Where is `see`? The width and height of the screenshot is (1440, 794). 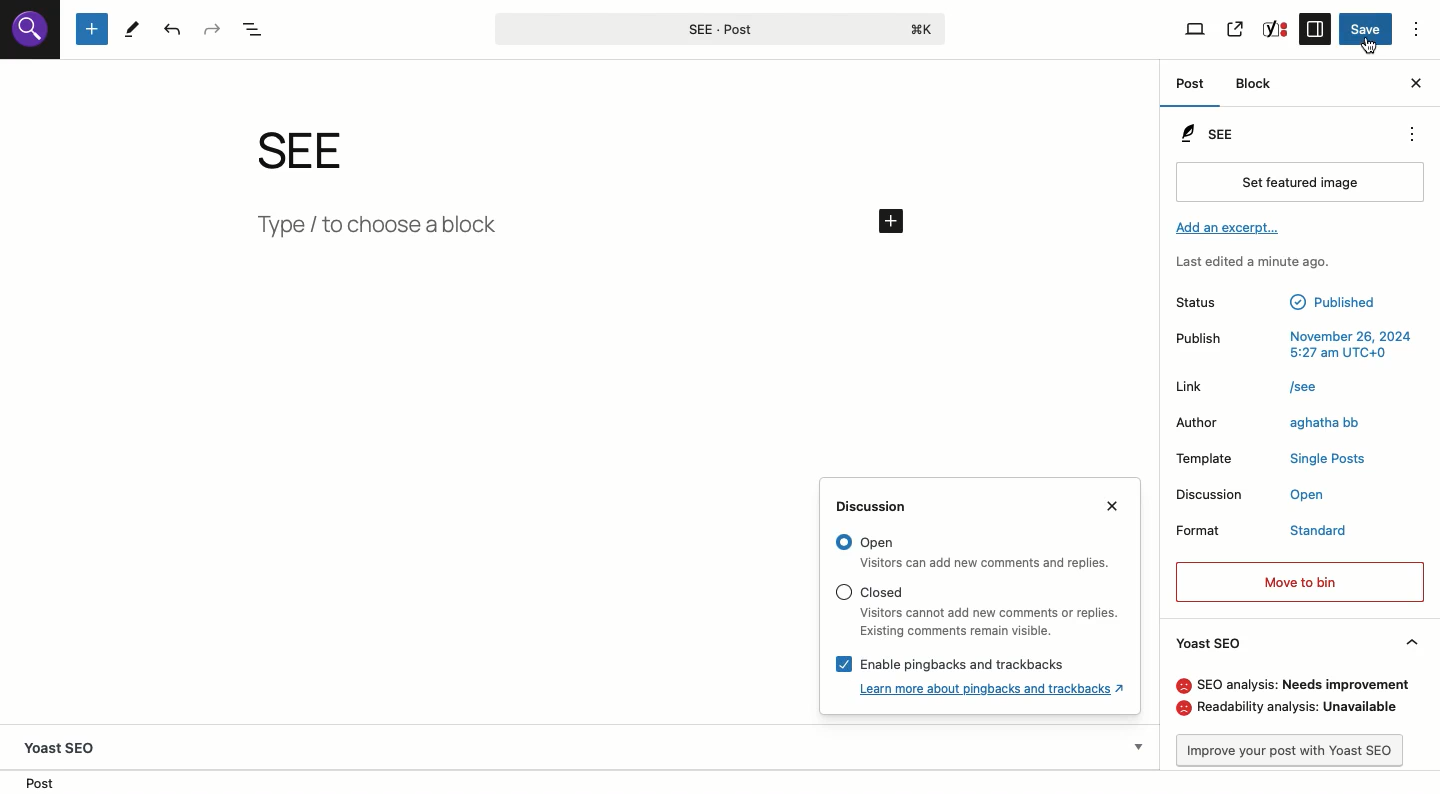 see is located at coordinates (322, 150).